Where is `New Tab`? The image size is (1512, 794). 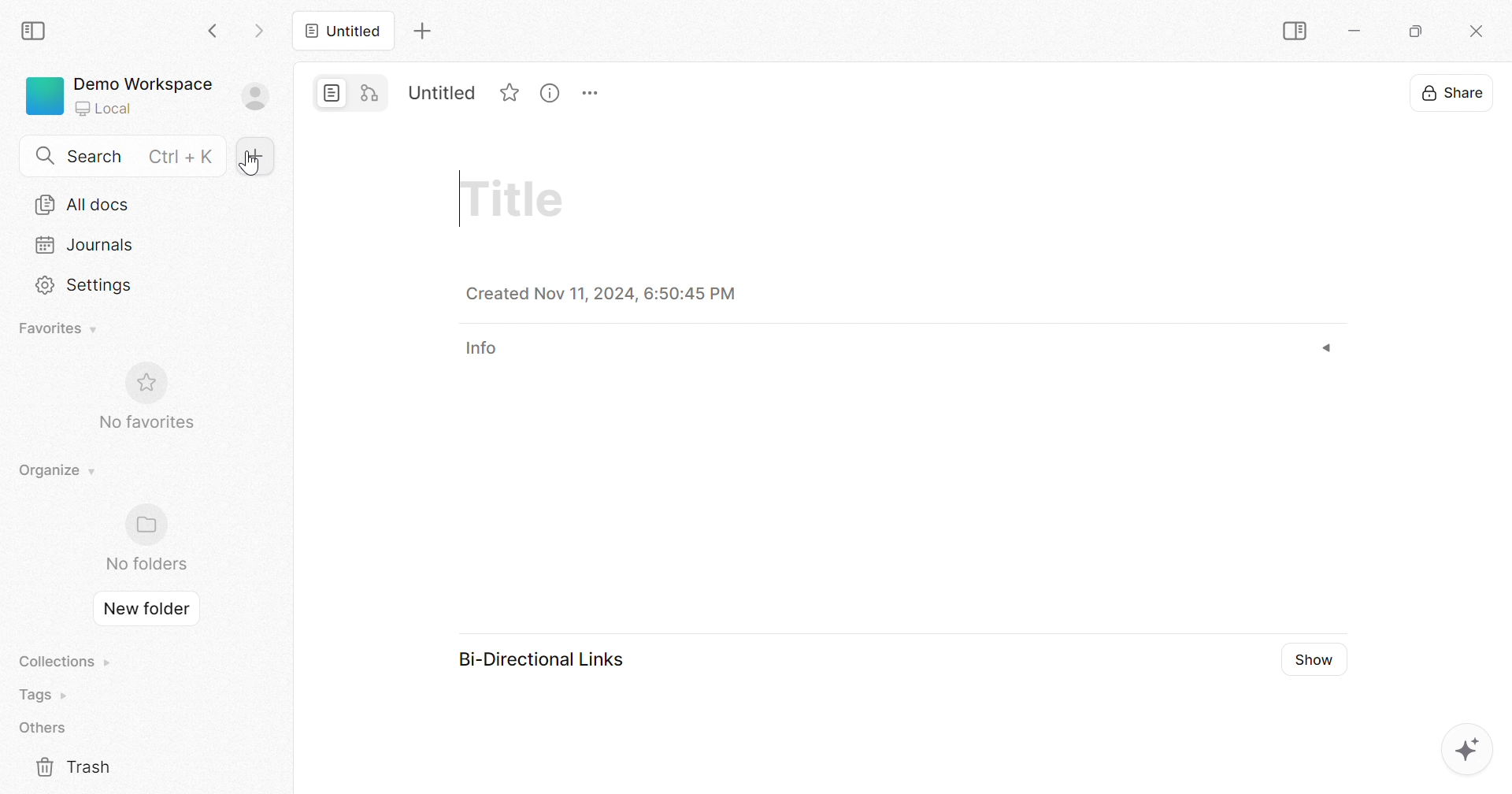 New Tab is located at coordinates (422, 31).